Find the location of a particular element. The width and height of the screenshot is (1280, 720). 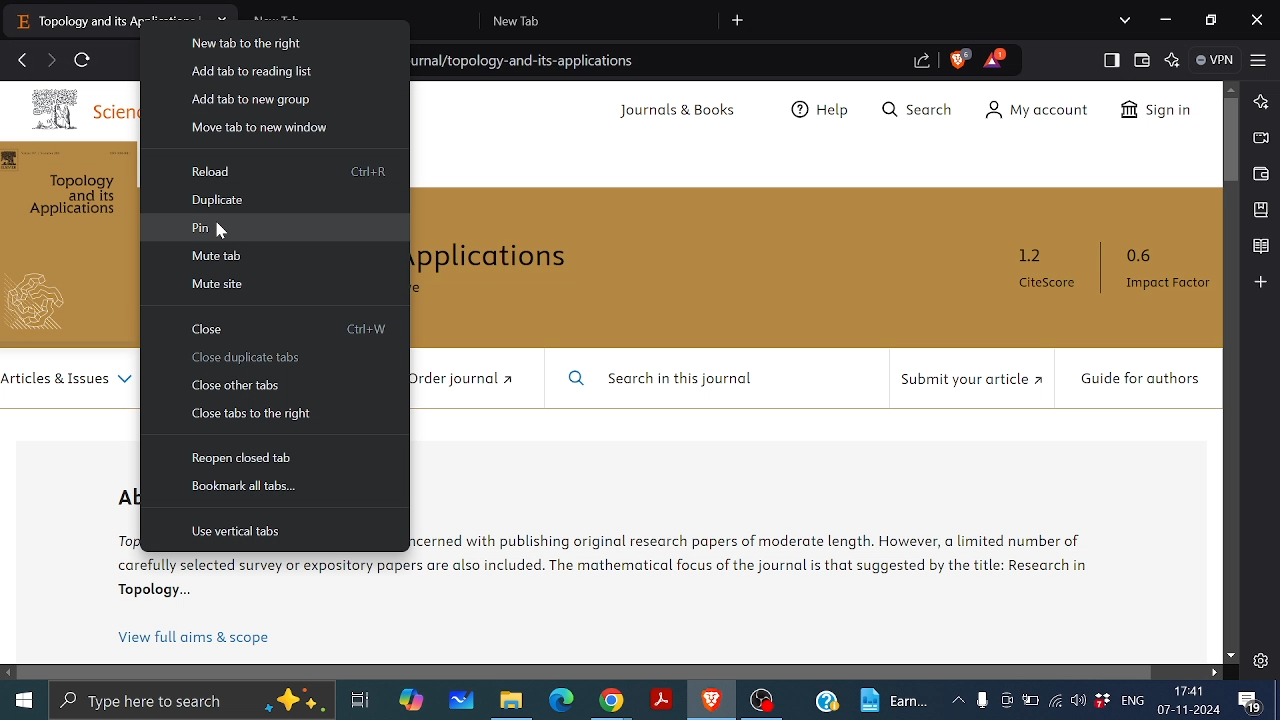

start is located at coordinates (22, 701).